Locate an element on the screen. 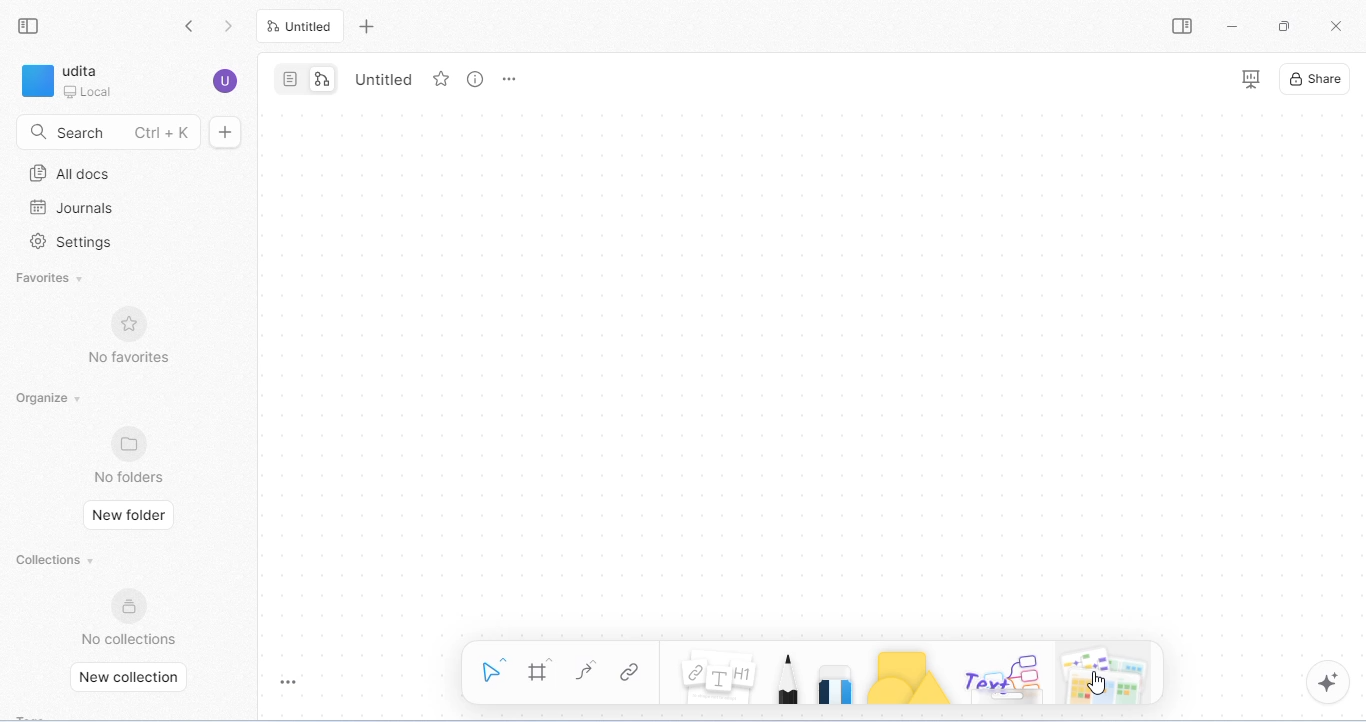 The image size is (1366, 722). workspace is located at coordinates (69, 81).